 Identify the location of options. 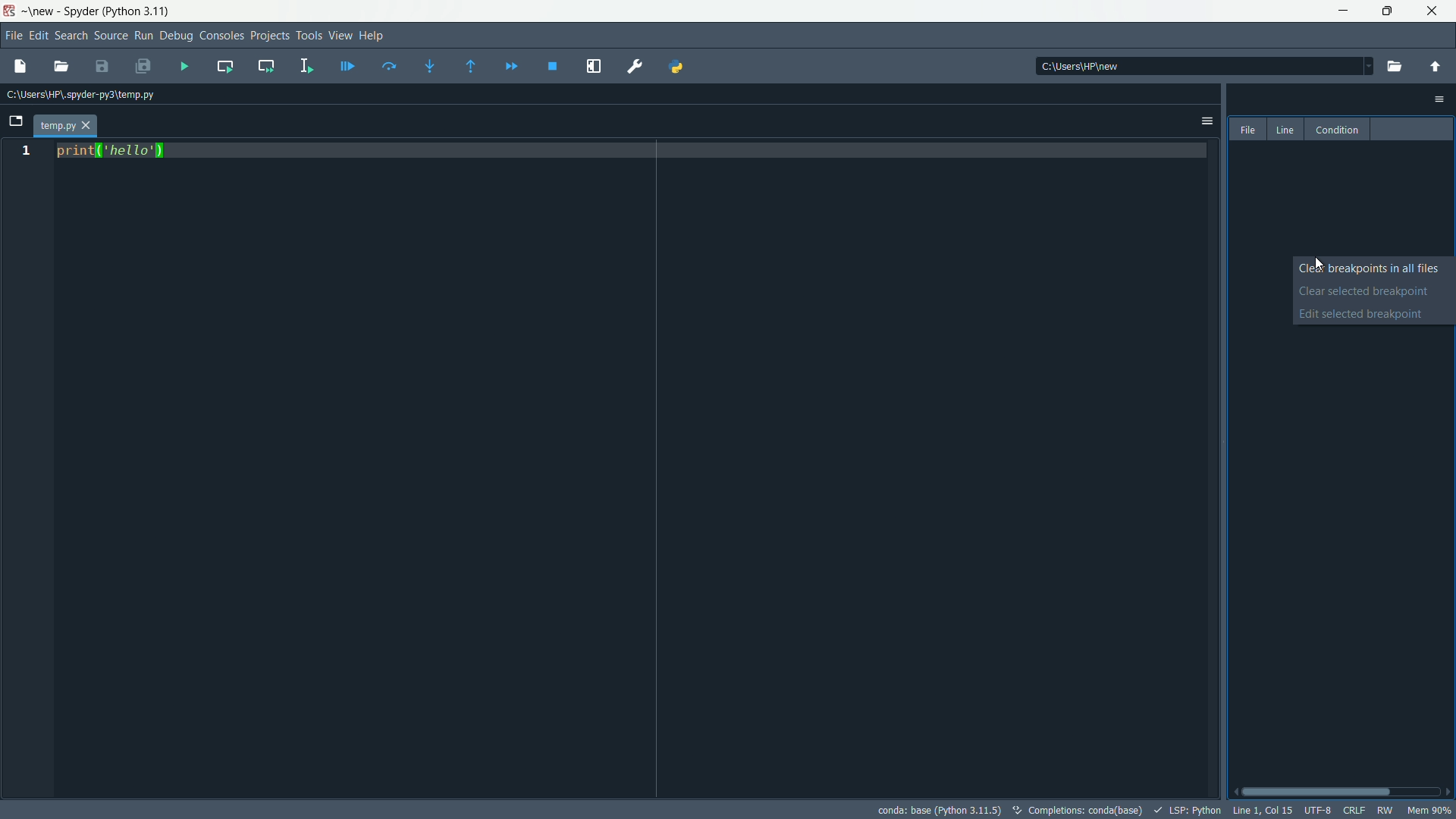
(1207, 121).